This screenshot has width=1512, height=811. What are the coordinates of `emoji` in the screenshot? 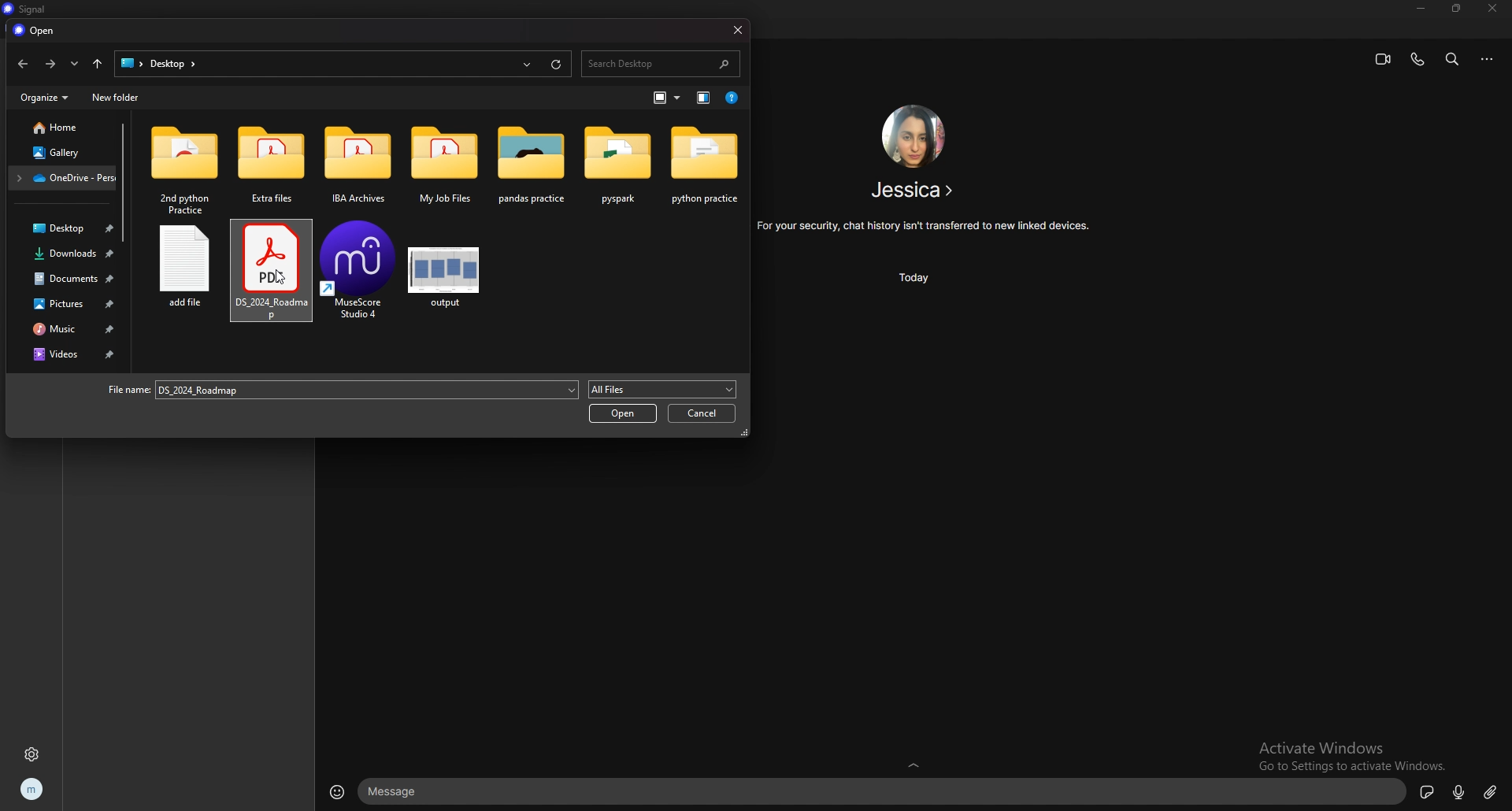 It's located at (339, 791).